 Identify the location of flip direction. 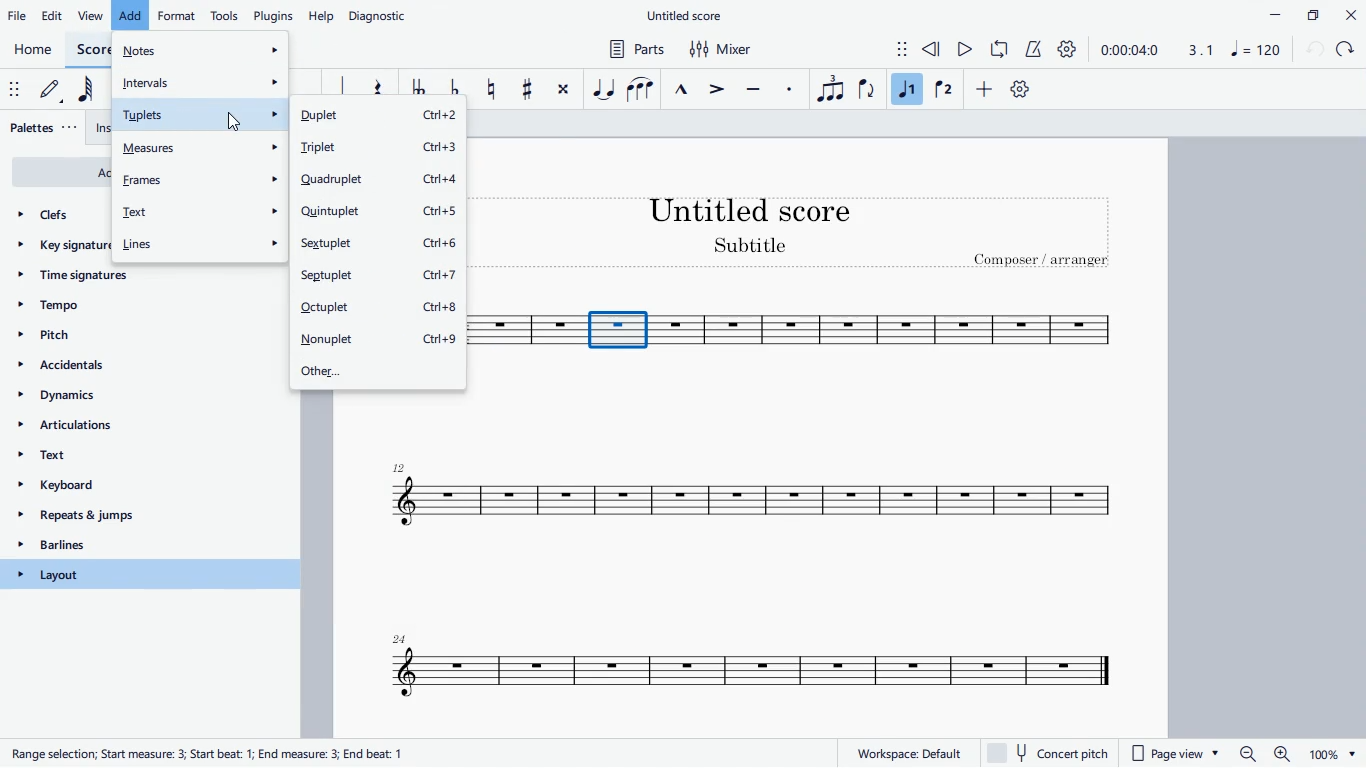
(867, 90).